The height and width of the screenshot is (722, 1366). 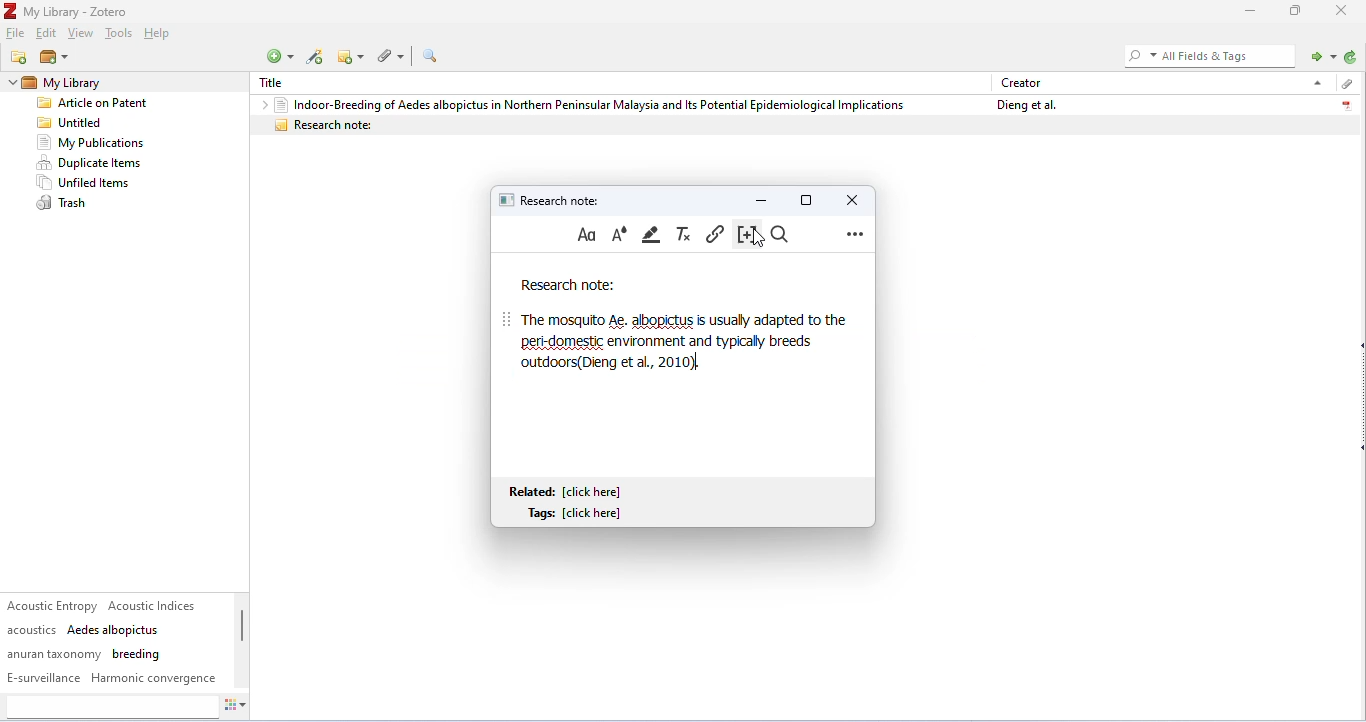 I want to click on my library, so click(x=94, y=83).